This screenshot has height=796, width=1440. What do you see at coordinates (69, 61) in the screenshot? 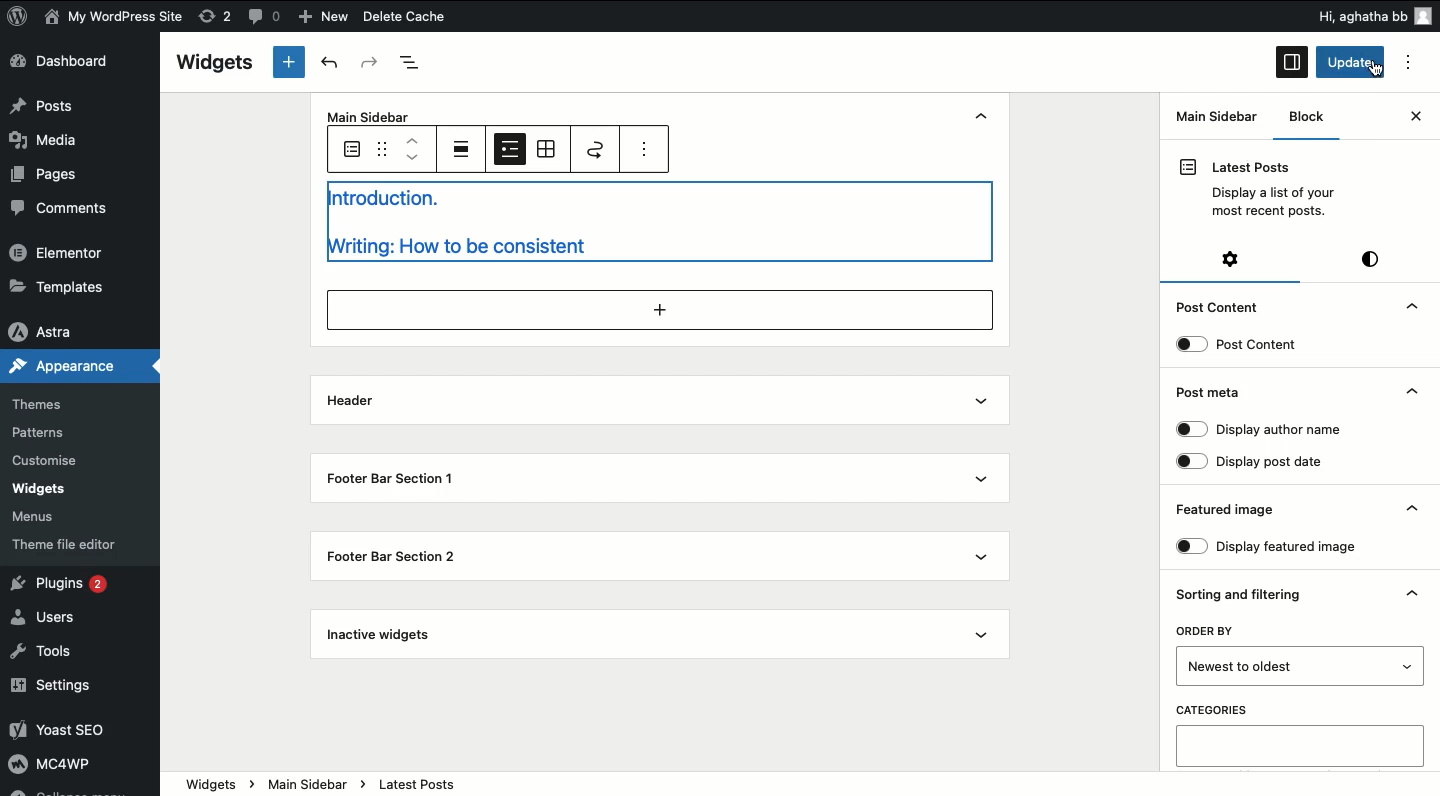
I see `Dashboard` at bounding box center [69, 61].